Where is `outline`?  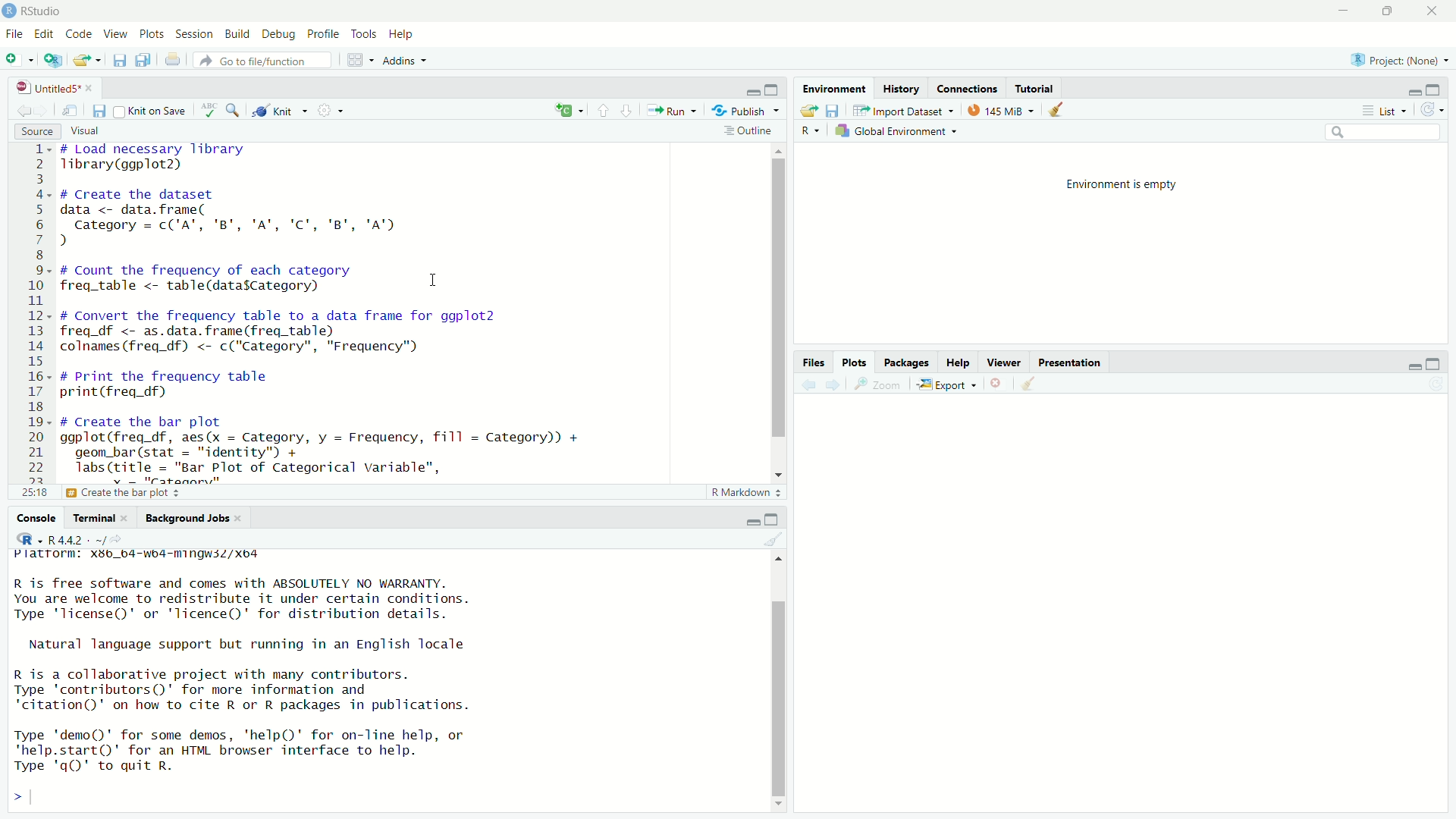 outline is located at coordinates (748, 130).